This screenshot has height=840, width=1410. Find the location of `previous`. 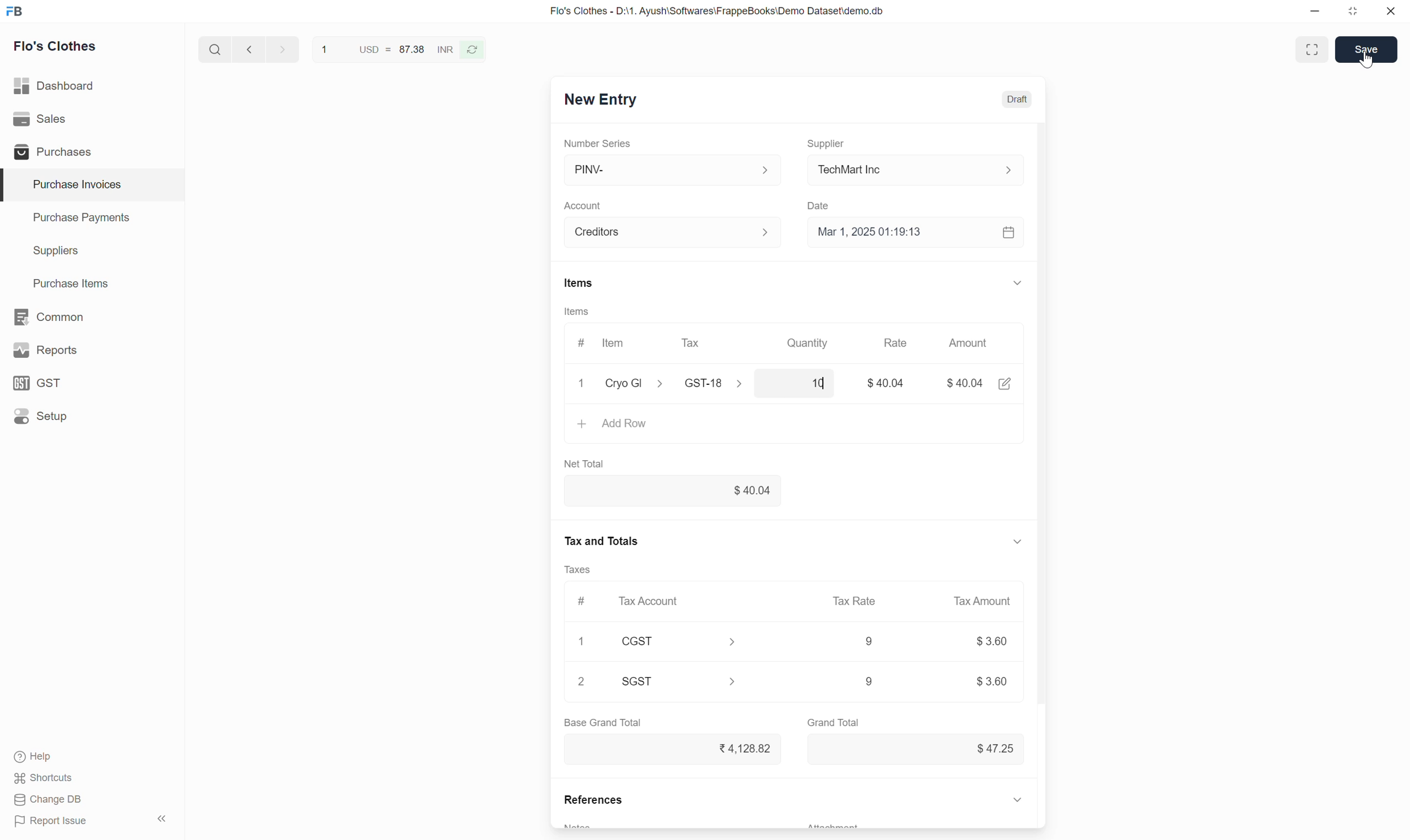

previous is located at coordinates (280, 48).